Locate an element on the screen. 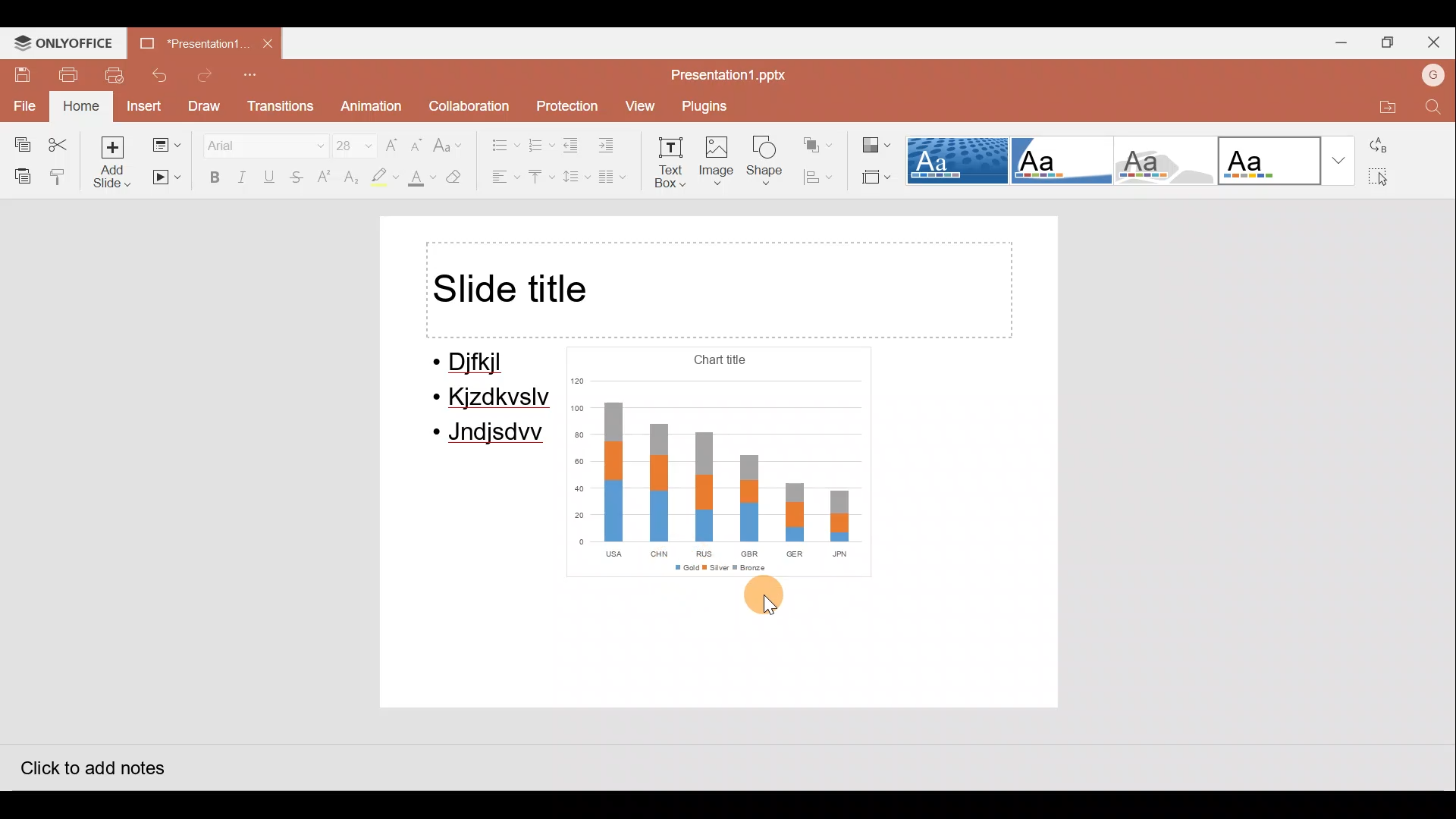 The image size is (1456, 819). Bullets is located at coordinates (497, 141).